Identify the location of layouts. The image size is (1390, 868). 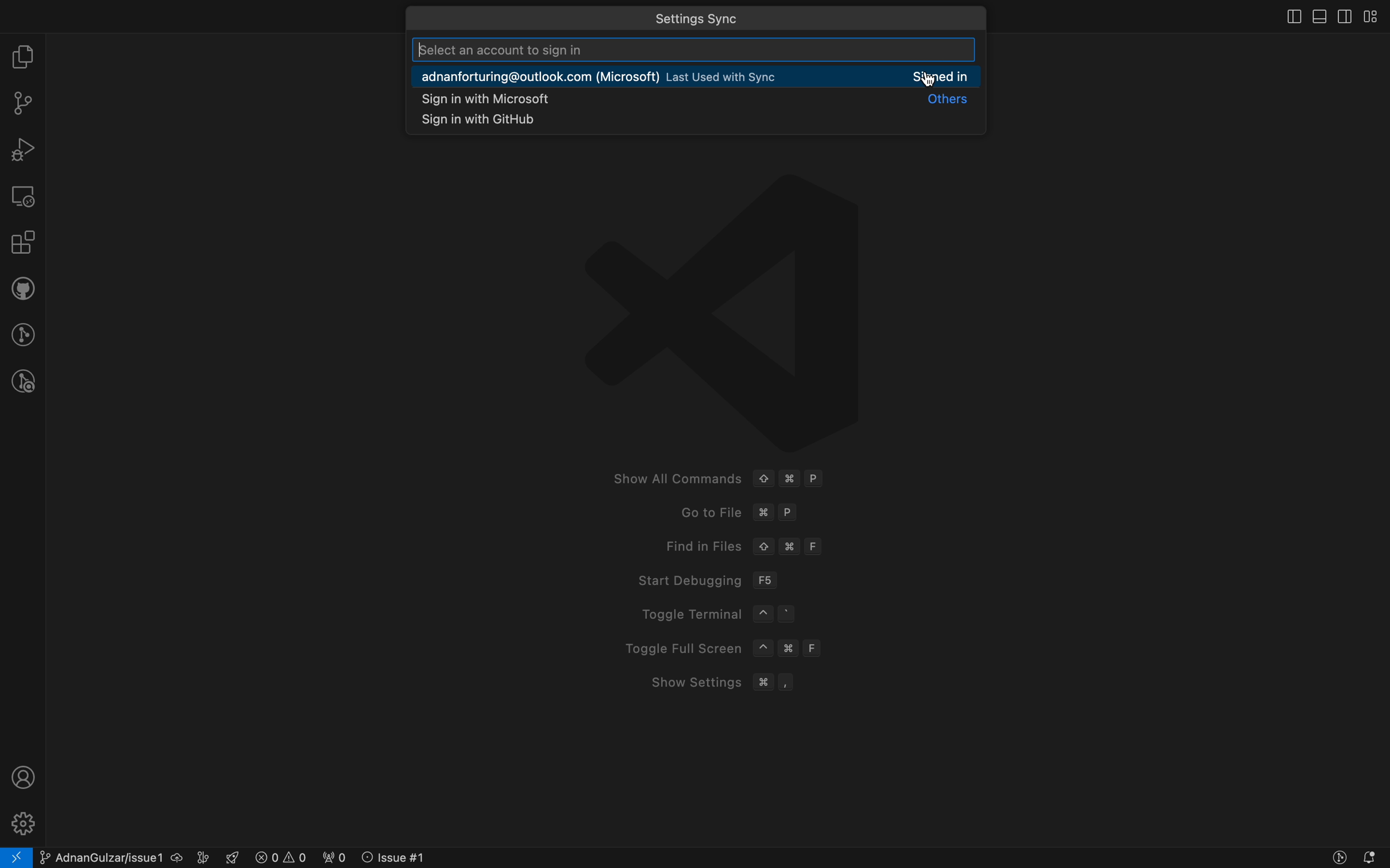
(1376, 17).